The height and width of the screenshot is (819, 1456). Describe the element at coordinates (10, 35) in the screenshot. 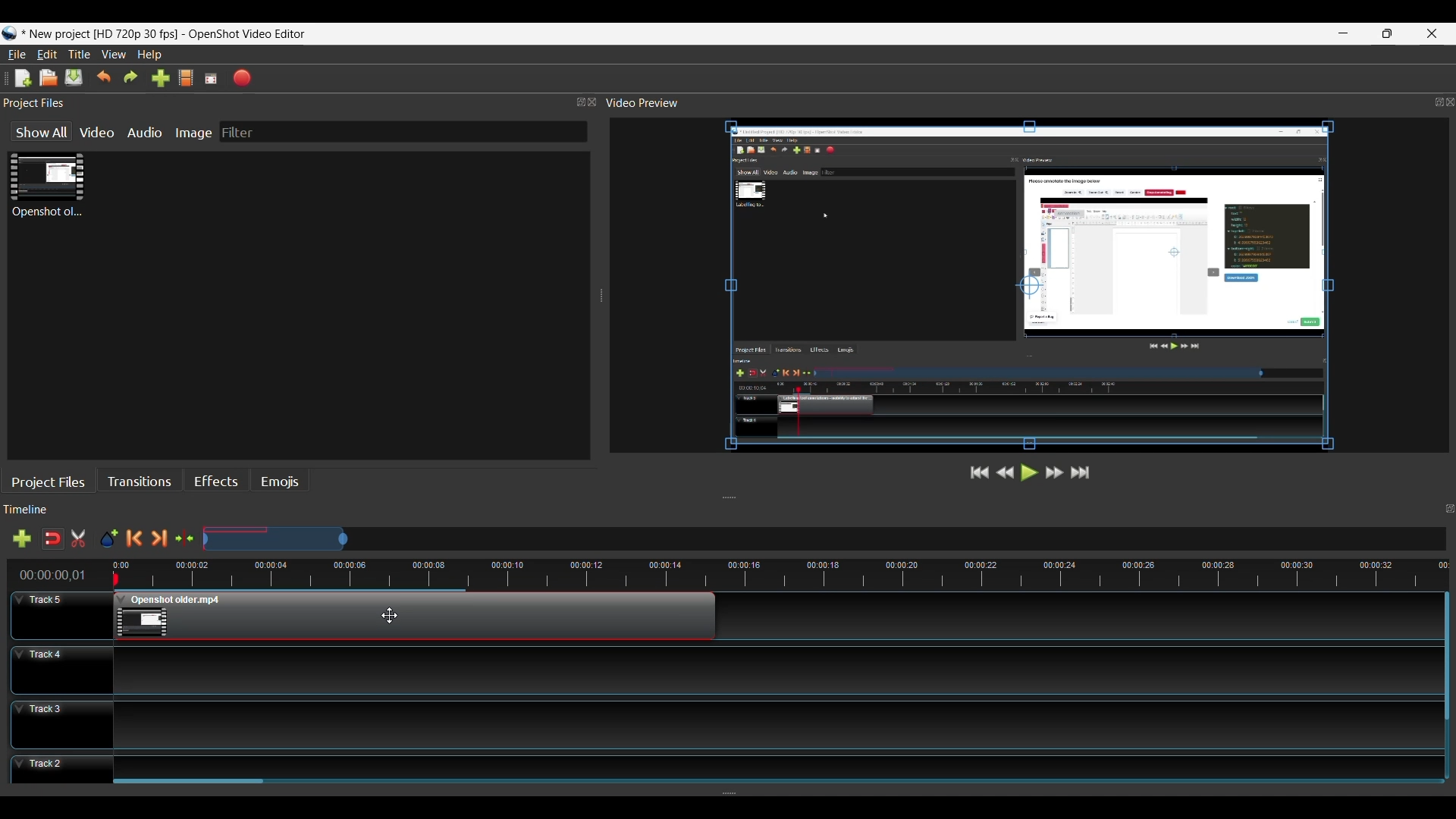

I see `Openshot Desktop icon` at that location.